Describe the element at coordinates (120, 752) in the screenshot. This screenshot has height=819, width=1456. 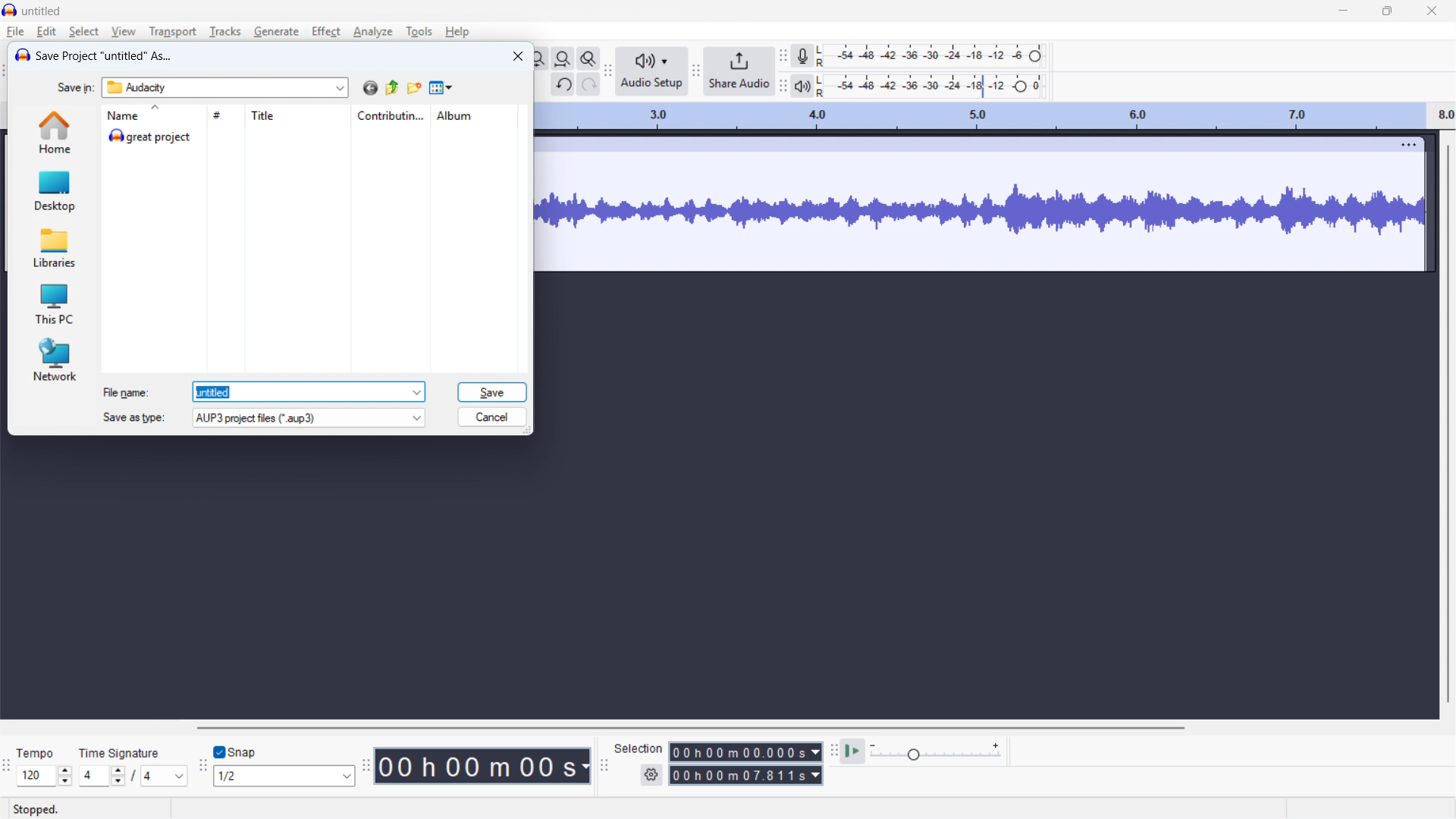
I see `time signature` at that location.